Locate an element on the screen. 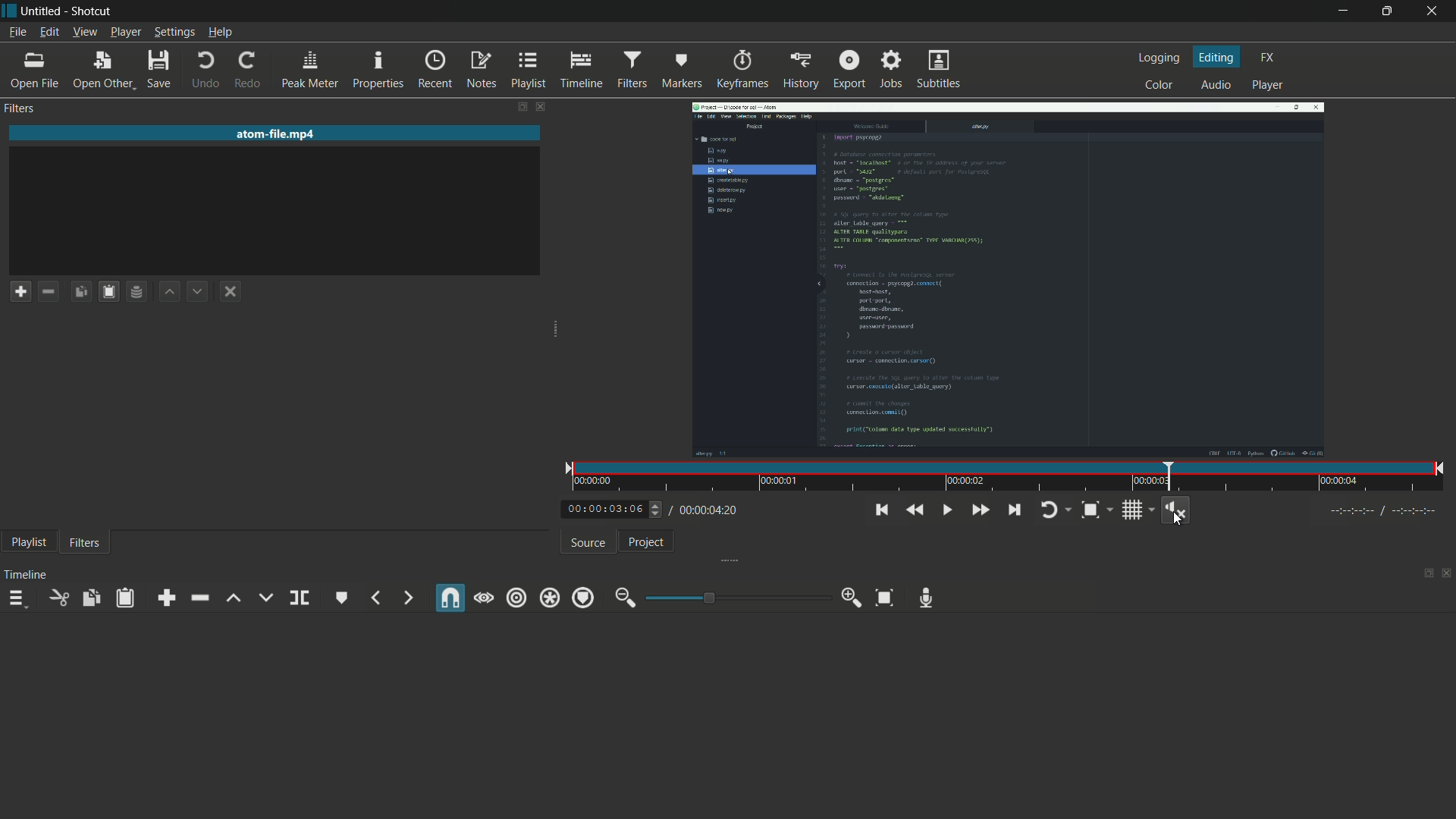  color is located at coordinates (1158, 85).